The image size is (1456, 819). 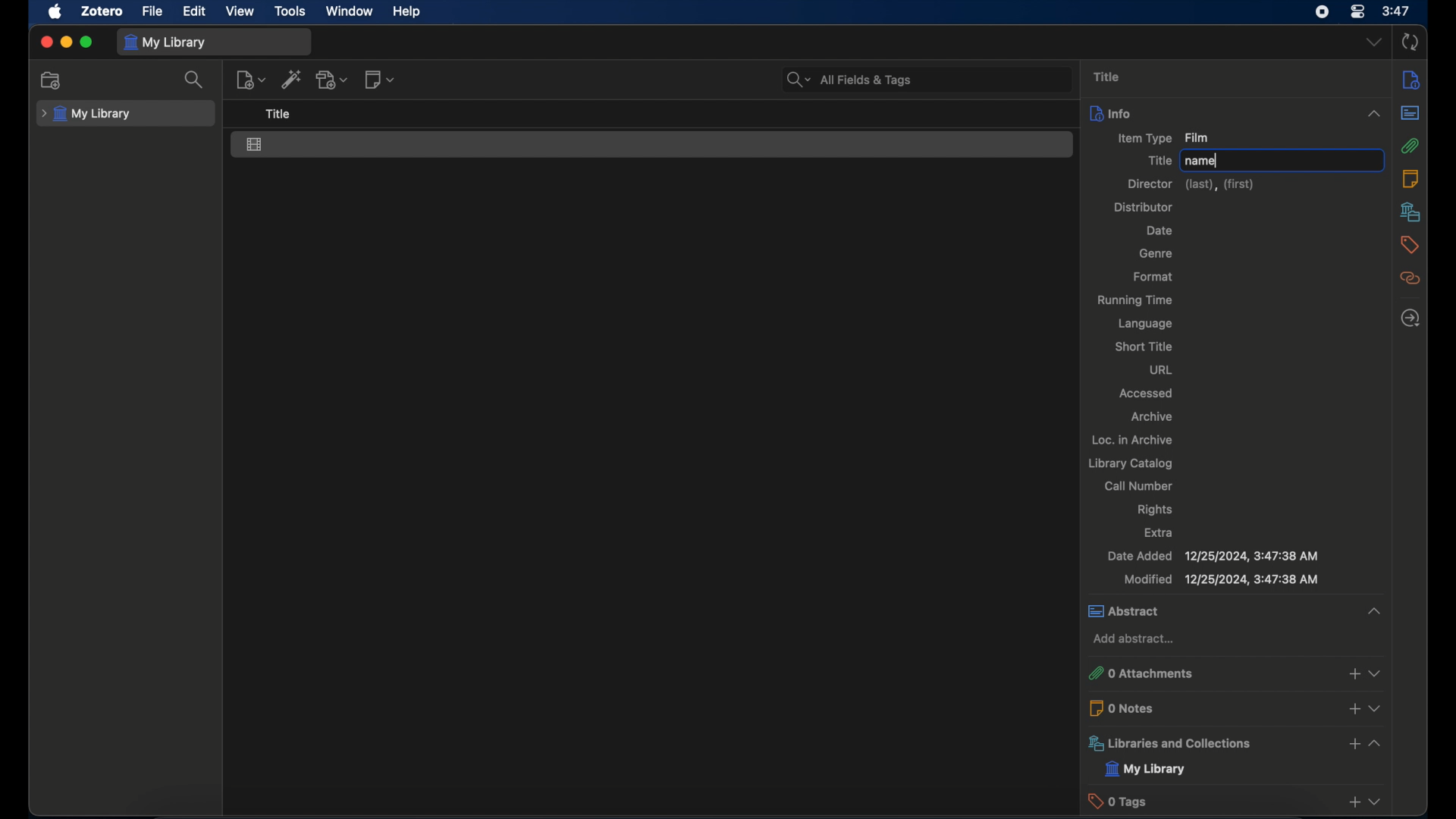 What do you see at coordinates (86, 114) in the screenshot?
I see `my library` at bounding box center [86, 114].